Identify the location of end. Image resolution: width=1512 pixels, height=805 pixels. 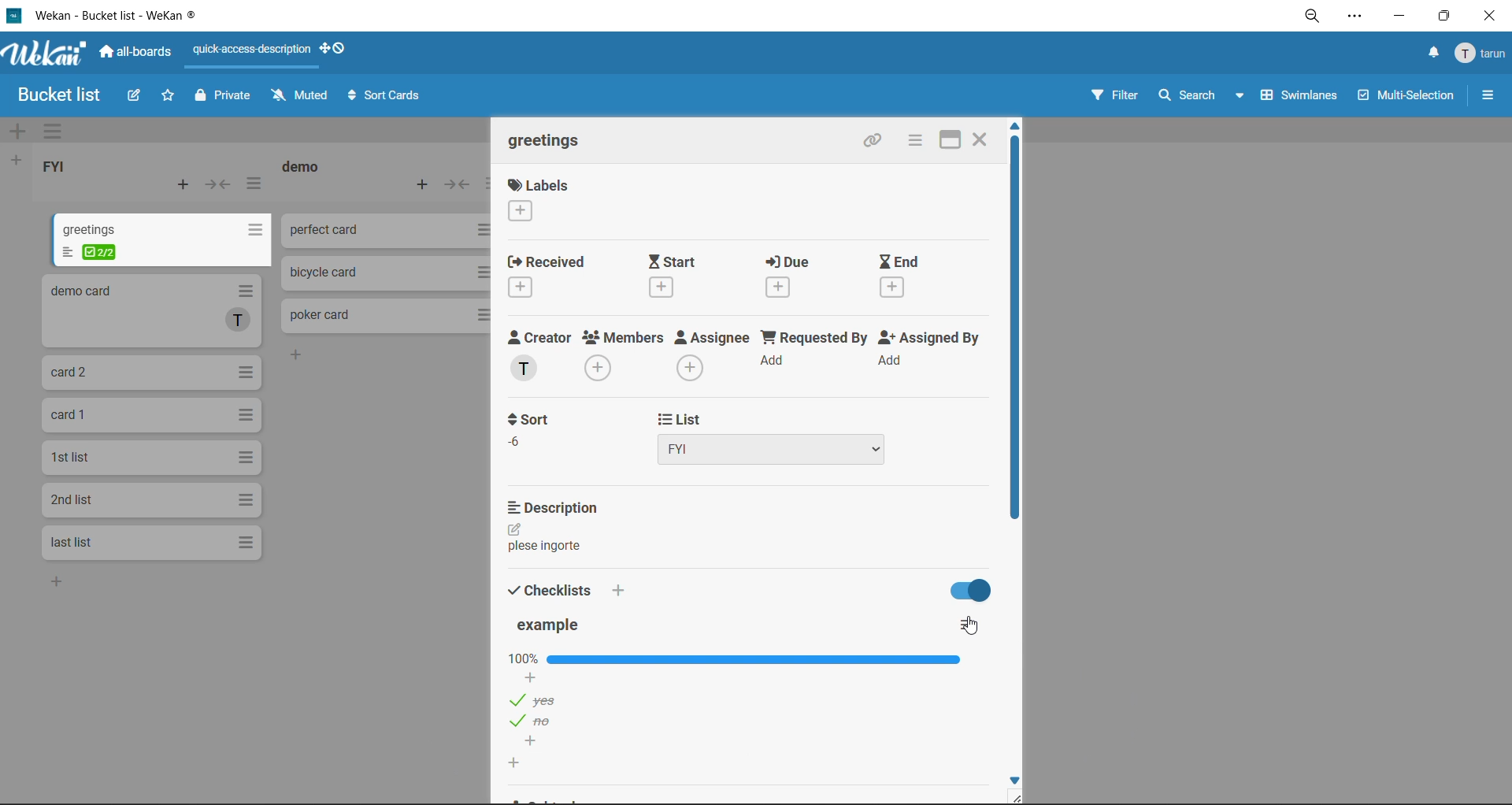
(899, 276).